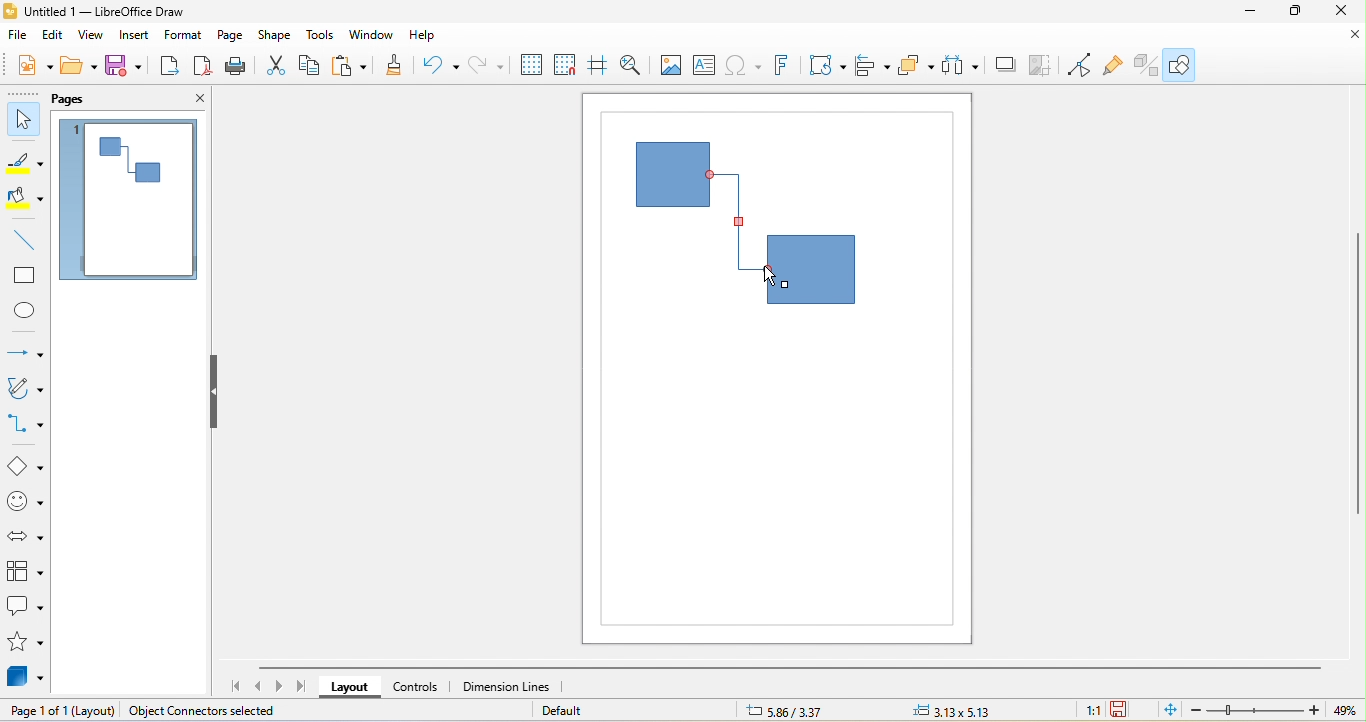 The image size is (1366, 722). What do you see at coordinates (1150, 65) in the screenshot?
I see `extrusion` at bounding box center [1150, 65].